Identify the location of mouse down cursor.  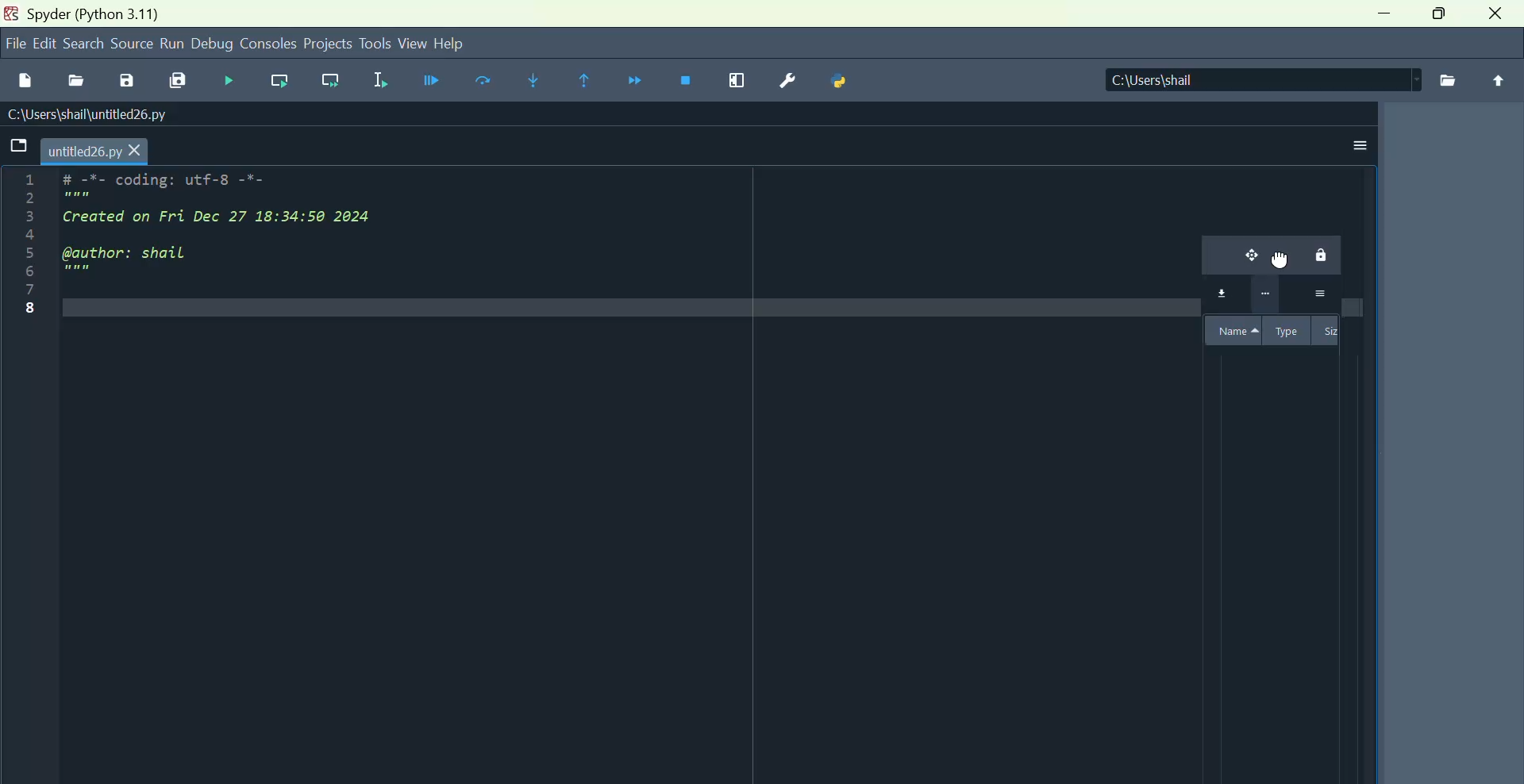
(1283, 263).